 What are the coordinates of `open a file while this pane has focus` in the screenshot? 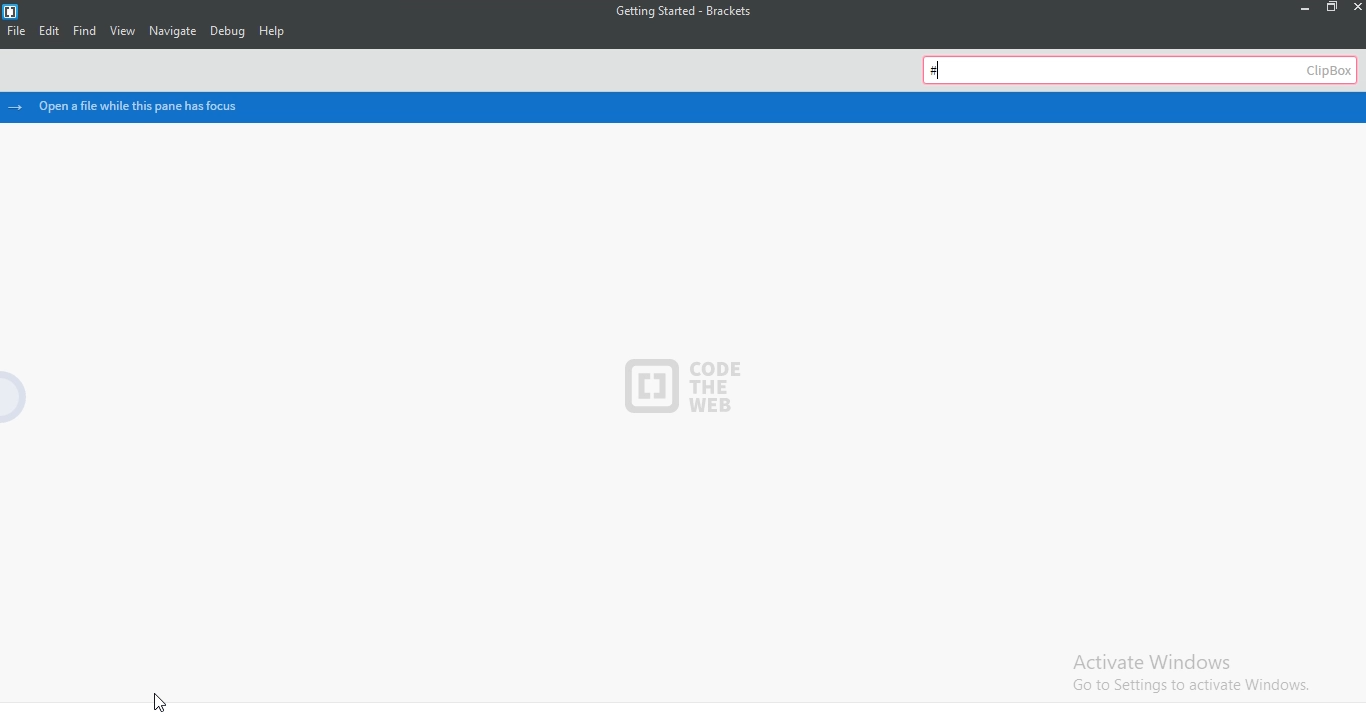 It's located at (145, 106).